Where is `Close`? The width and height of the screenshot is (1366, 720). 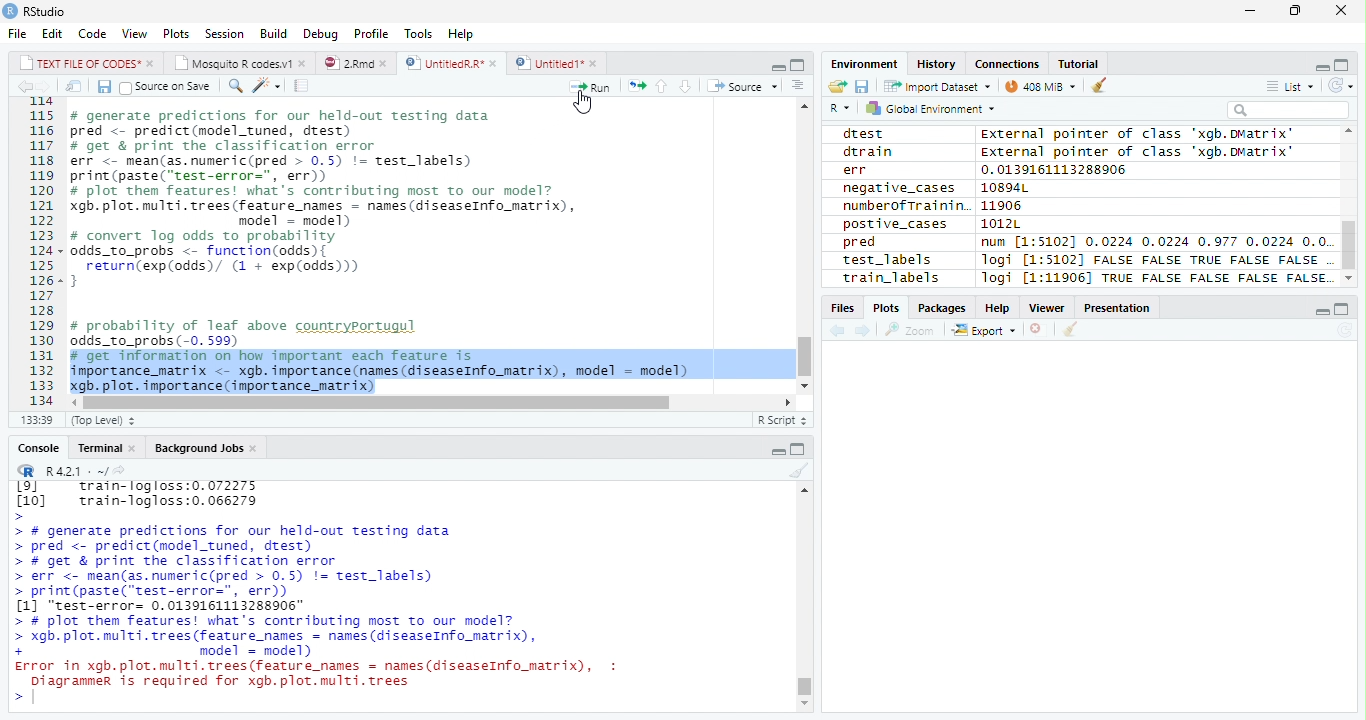
Close is located at coordinates (1340, 11).